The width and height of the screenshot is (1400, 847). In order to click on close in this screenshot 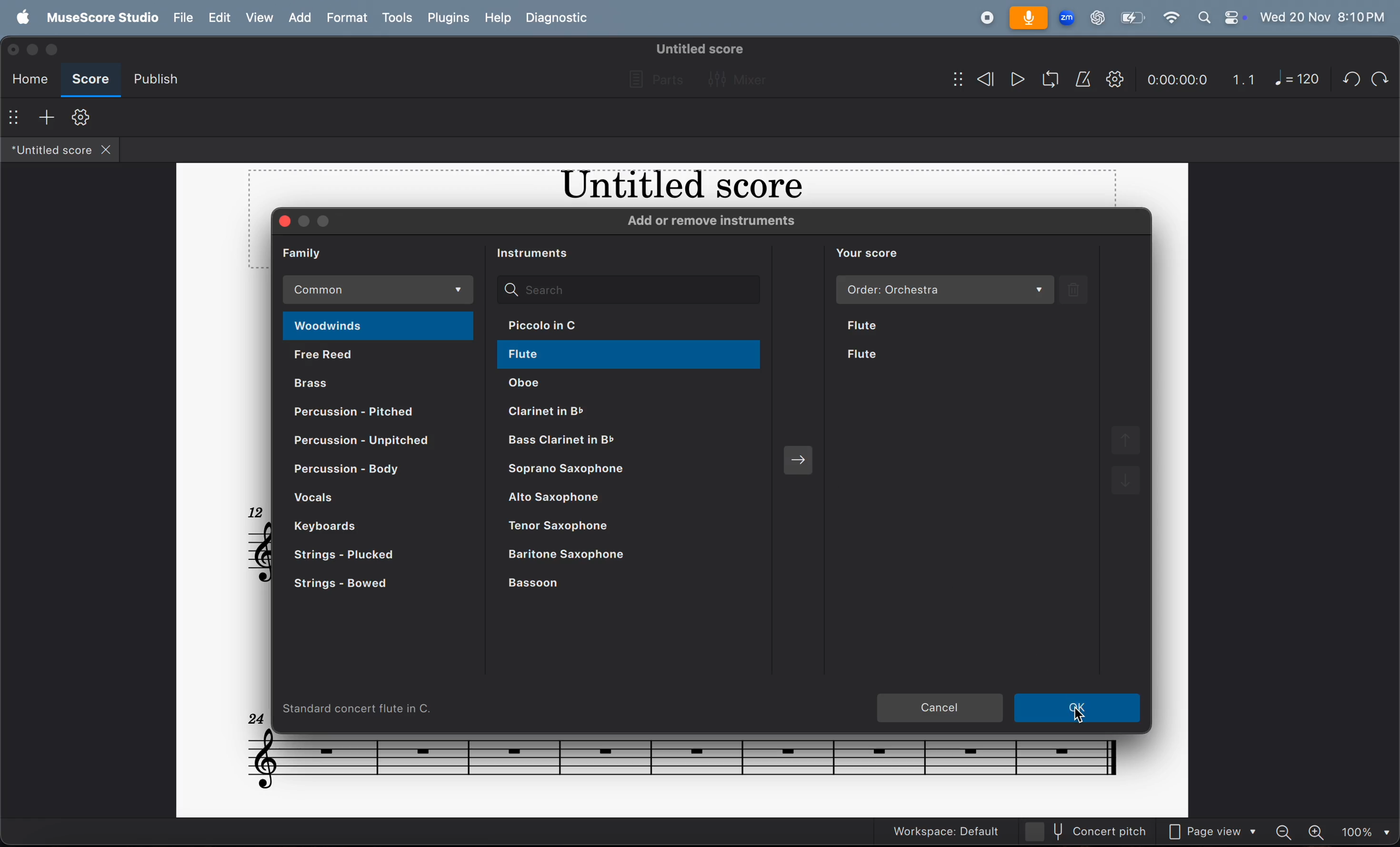, I will do `click(112, 150)`.